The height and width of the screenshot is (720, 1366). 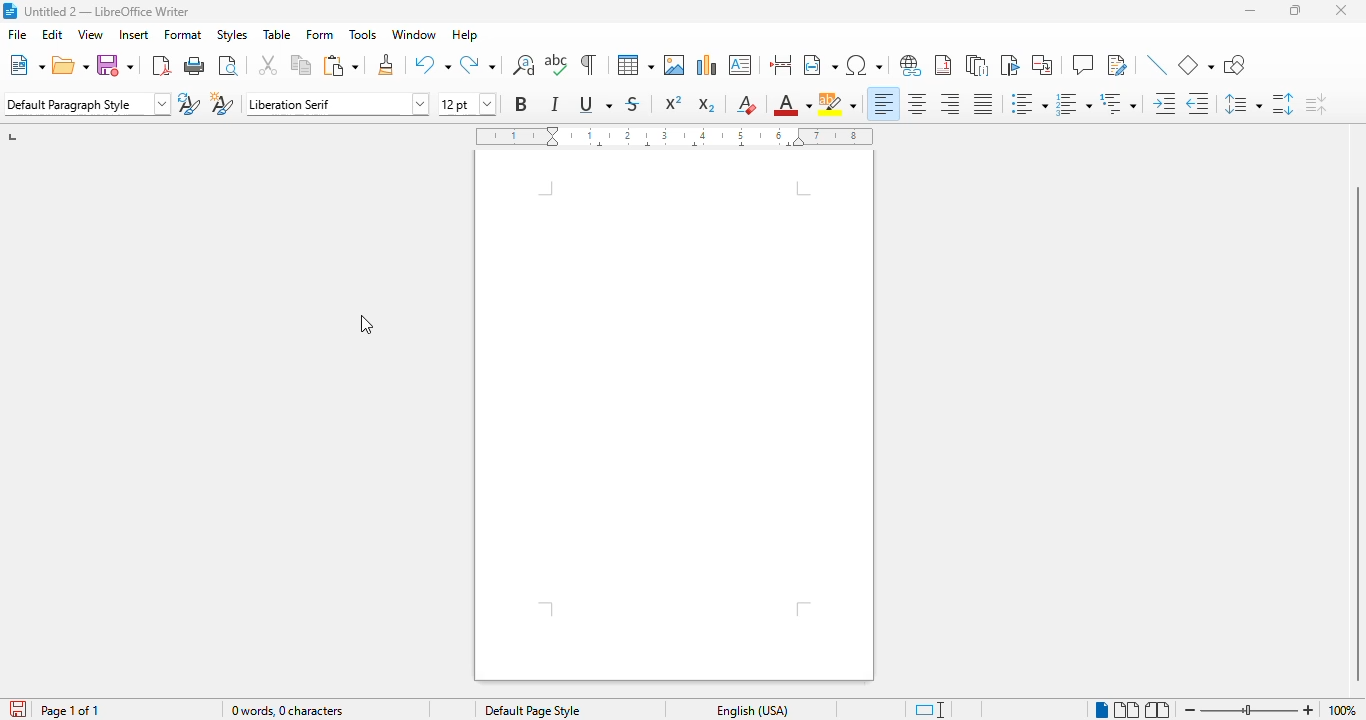 What do you see at coordinates (232, 35) in the screenshot?
I see `styles` at bounding box center [232, 35].